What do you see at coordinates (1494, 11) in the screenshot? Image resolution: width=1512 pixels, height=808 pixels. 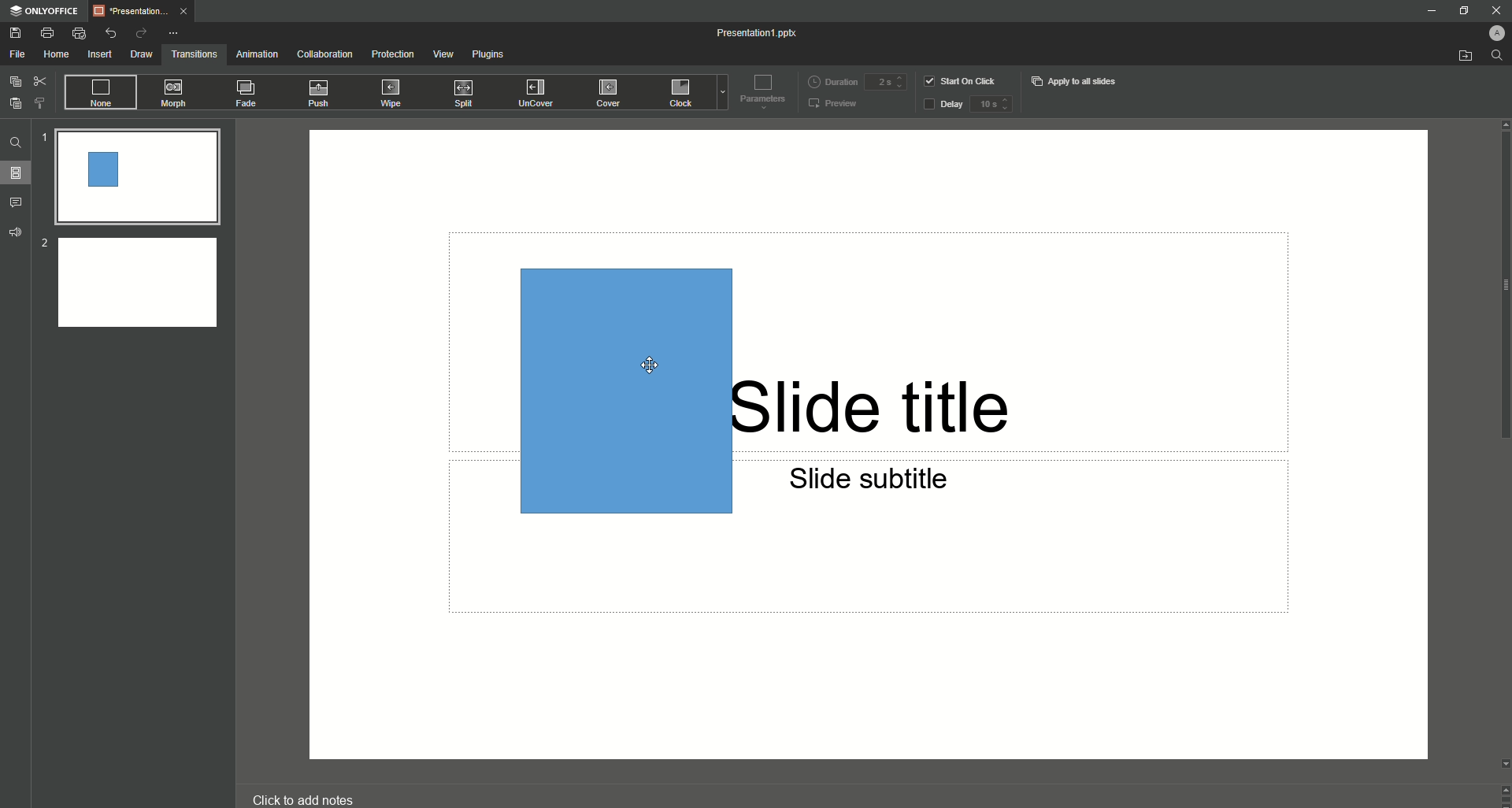 I see `Close` at bounding box center [1494, 11].